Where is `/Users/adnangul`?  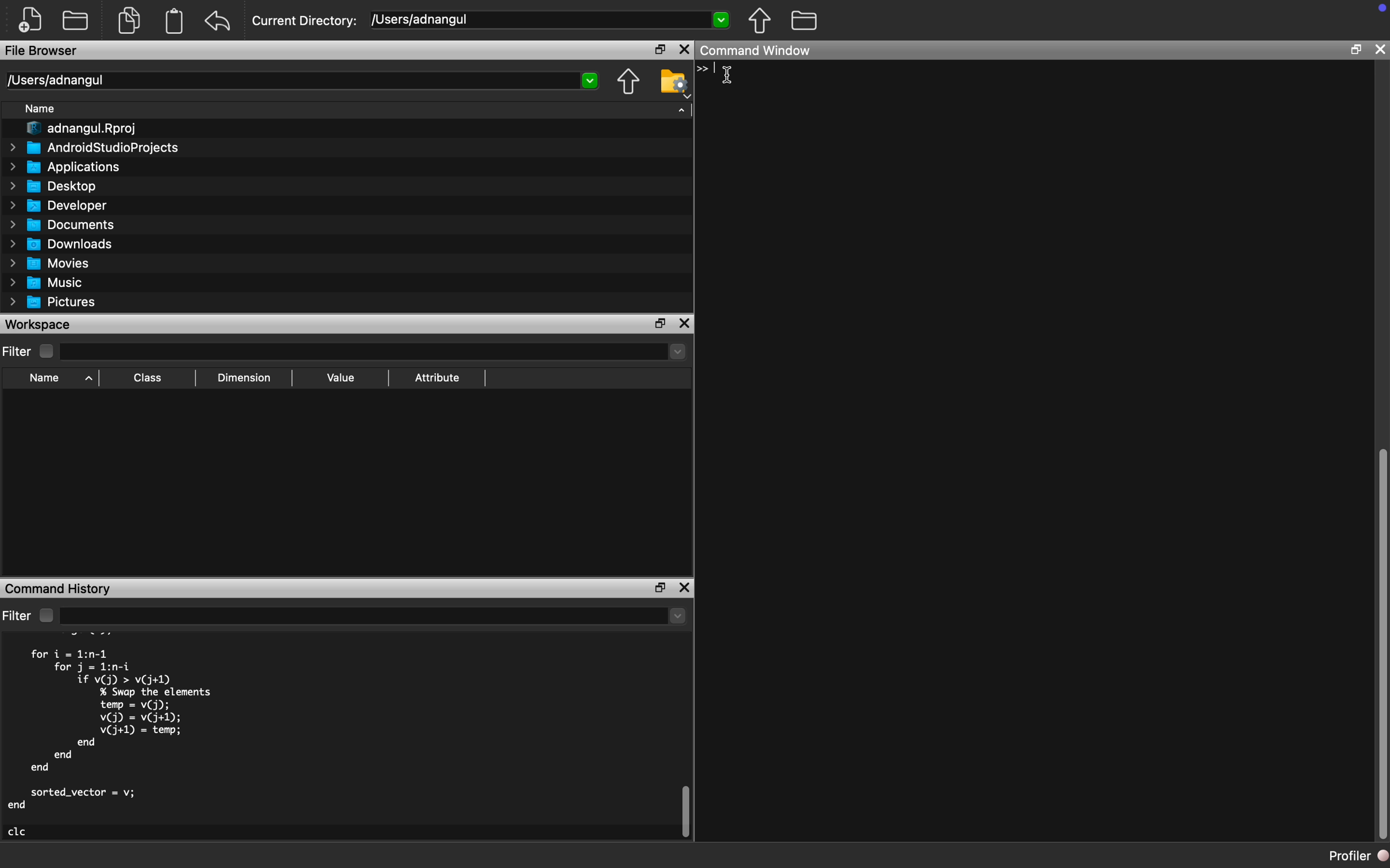
/Users/adnangul is located at coordinates (550, 19).